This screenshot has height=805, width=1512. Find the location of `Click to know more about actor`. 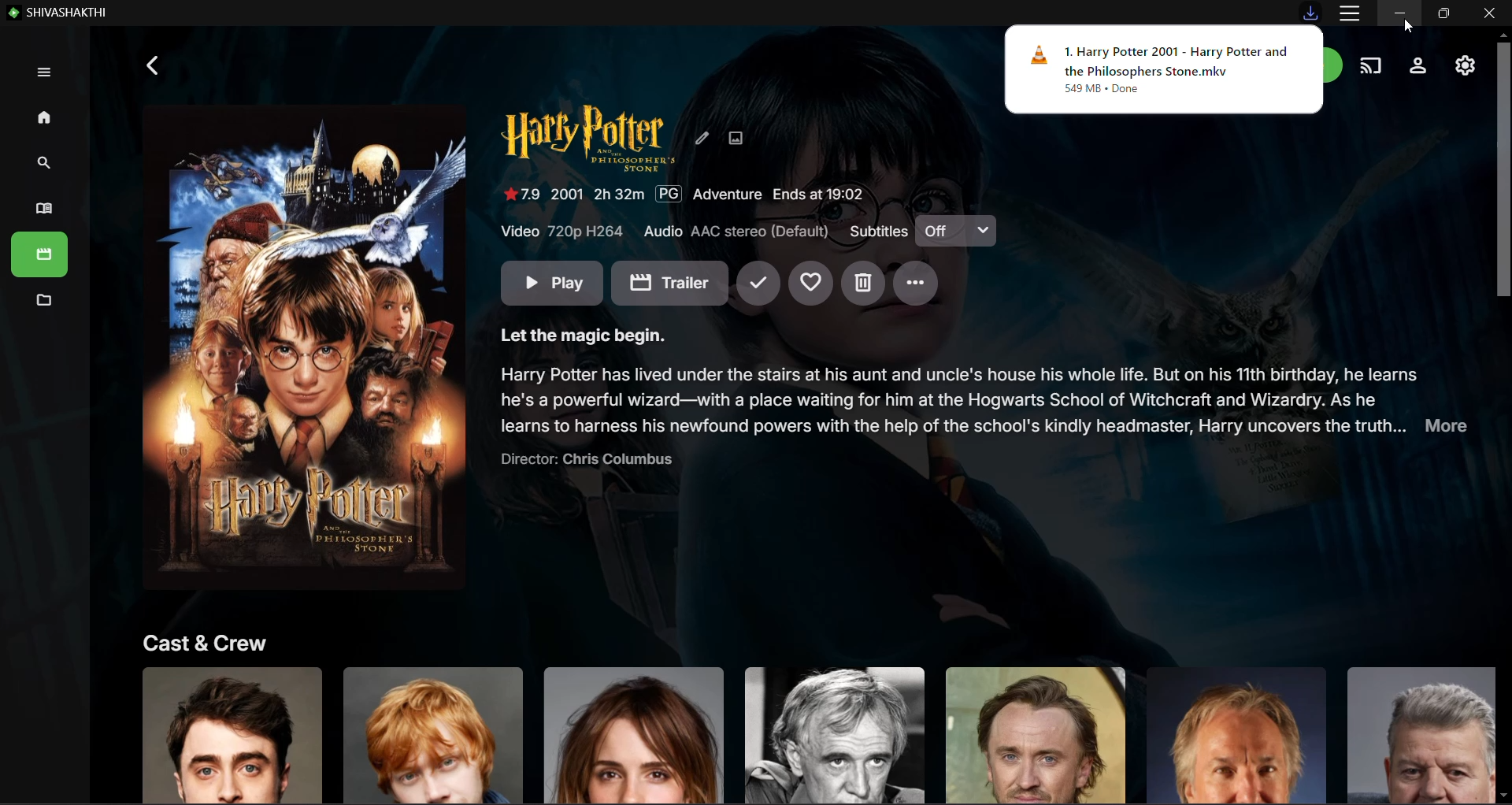

Click to know more about actor is located at coordinates (232, 734).